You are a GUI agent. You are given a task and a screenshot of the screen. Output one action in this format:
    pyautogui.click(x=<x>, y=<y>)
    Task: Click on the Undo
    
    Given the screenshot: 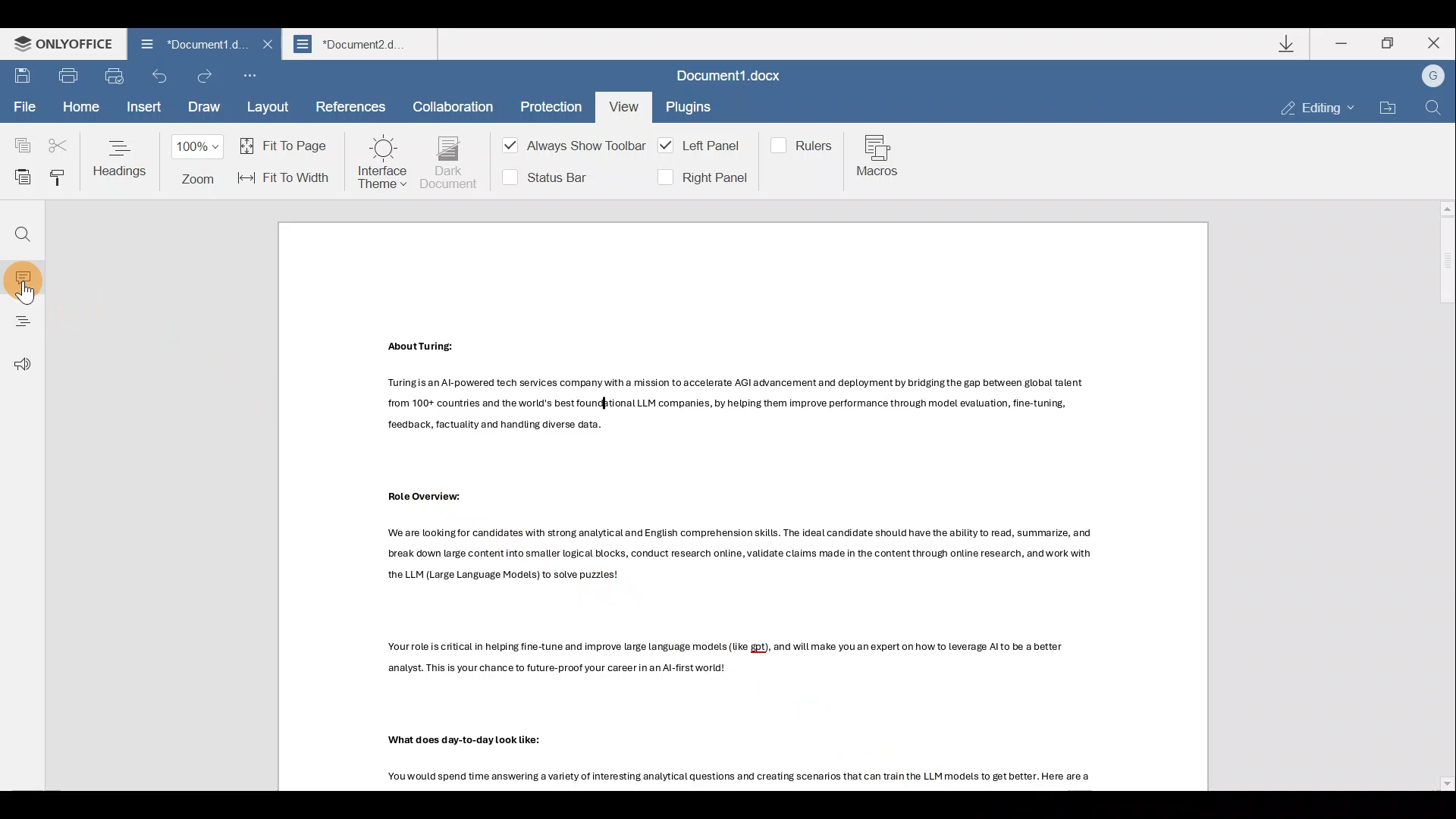 What is the action you would take?
    pyautogui.click(x=161, y=80)
    